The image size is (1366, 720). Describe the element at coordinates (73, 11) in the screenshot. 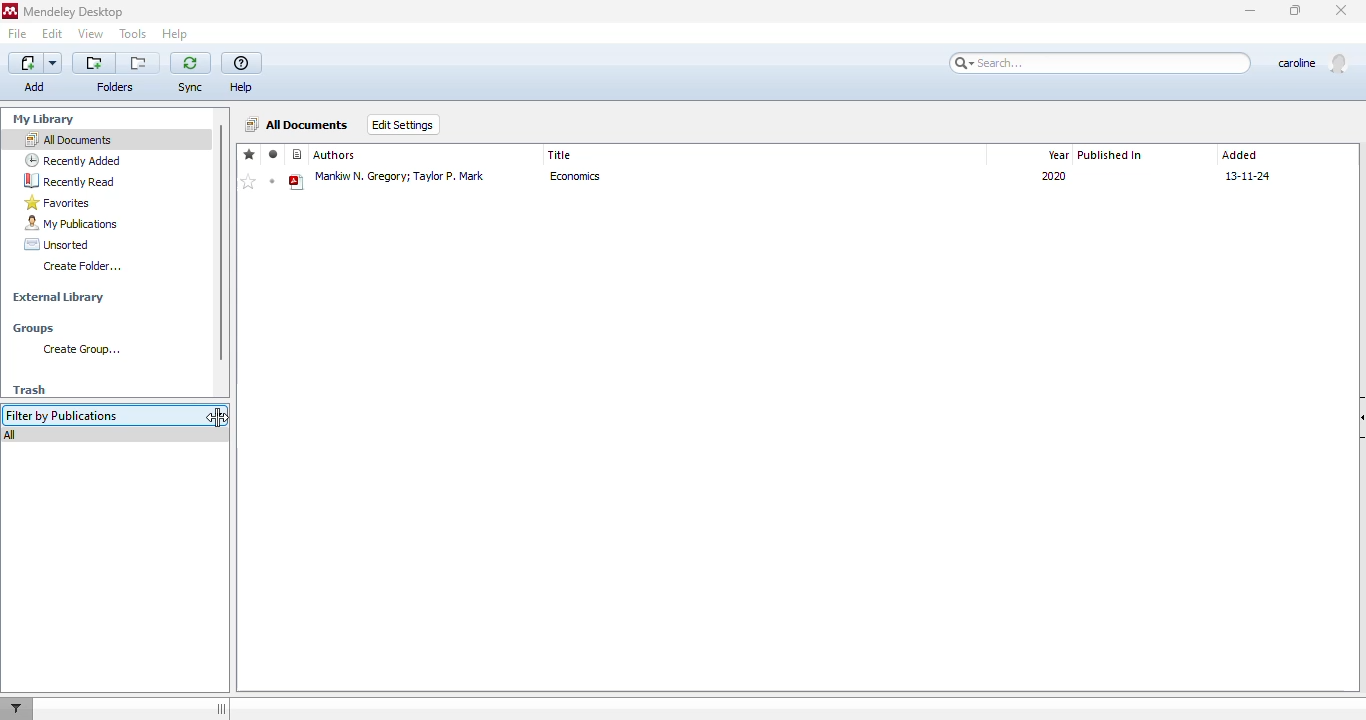

I see `mendeley desktop` at that location.